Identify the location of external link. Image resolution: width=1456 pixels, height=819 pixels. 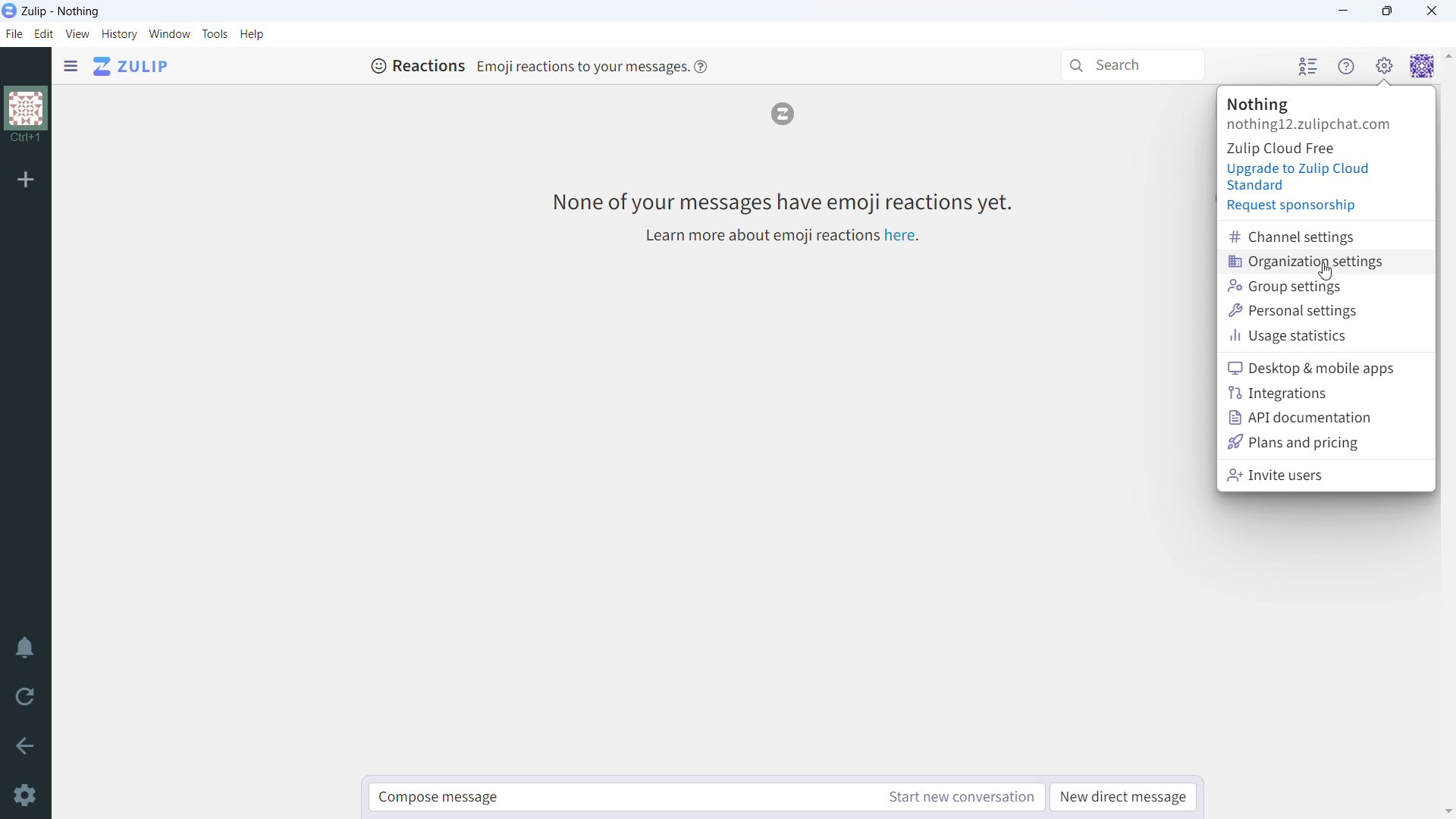
(900, 235).